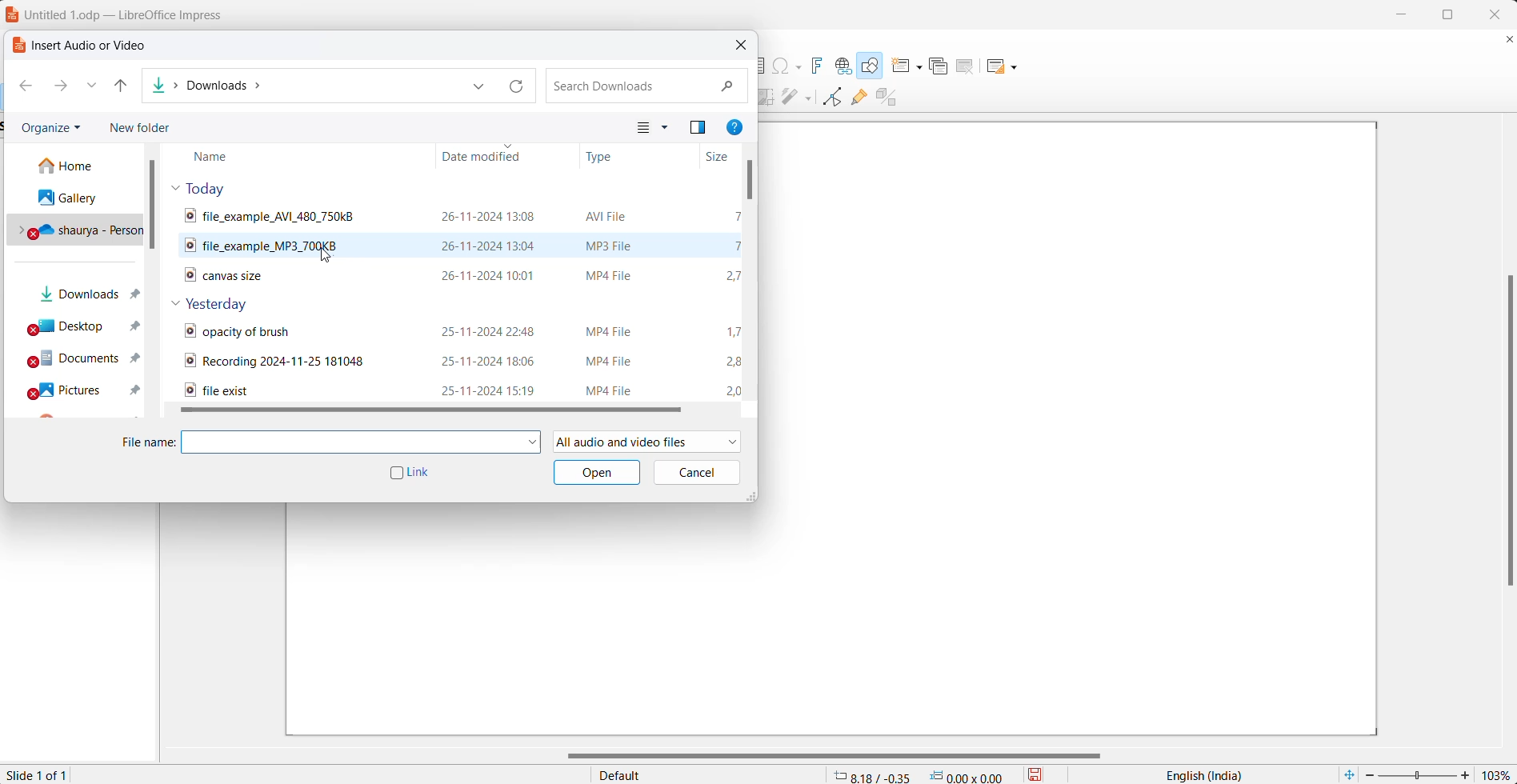  What do you see at coordinates (859, 99) in the screenshot?
I see `show gluepoint functions` at bounding box center [859, 99].